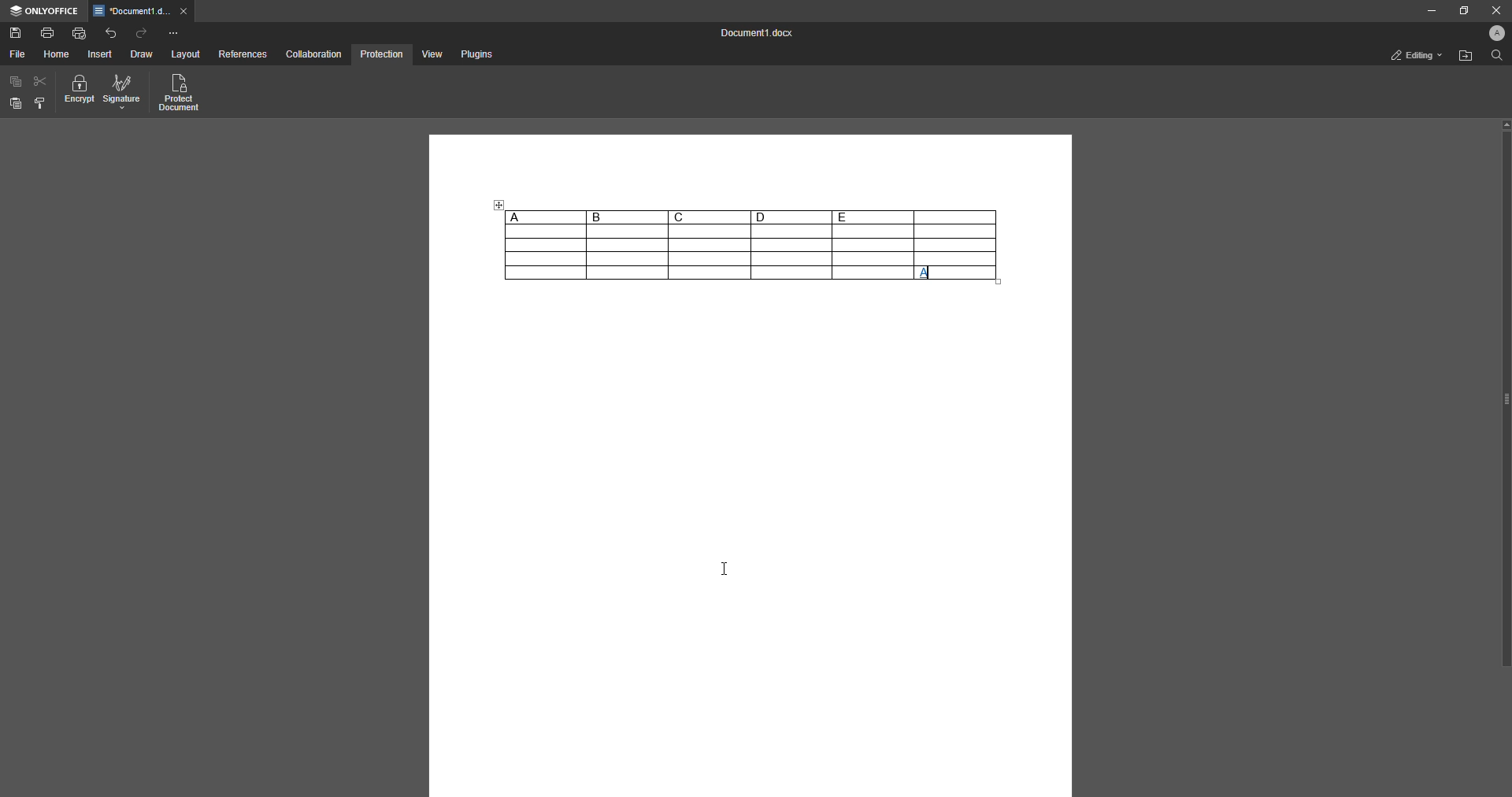 This screenshot has height=797, width=1512. I want to click on Document 1, so click(753, 35).